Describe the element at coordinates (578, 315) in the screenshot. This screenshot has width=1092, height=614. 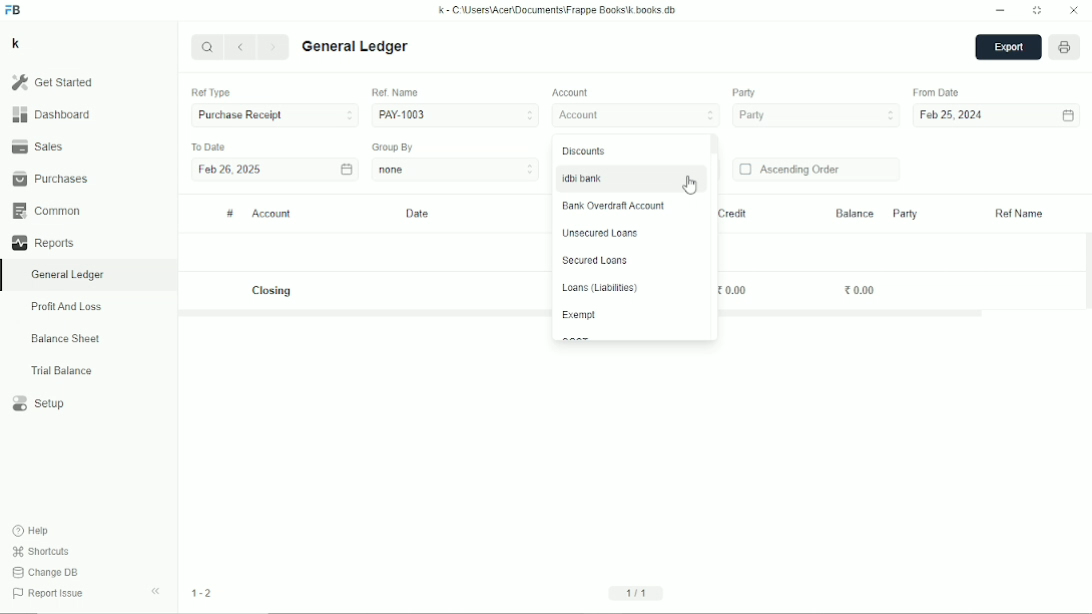
I see `Exempt` at that location.